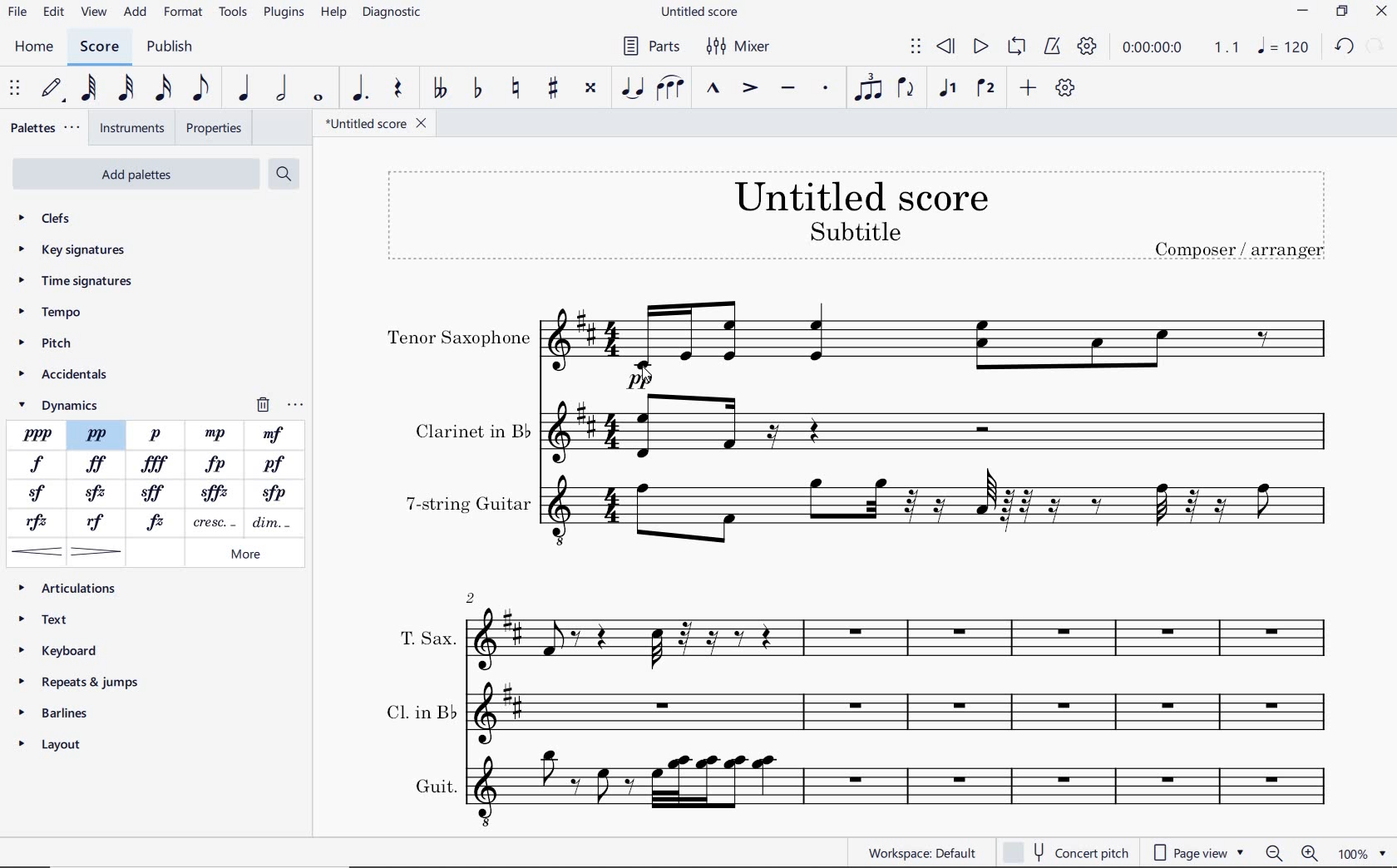  I want to click on SLUR, so click(673, 89).